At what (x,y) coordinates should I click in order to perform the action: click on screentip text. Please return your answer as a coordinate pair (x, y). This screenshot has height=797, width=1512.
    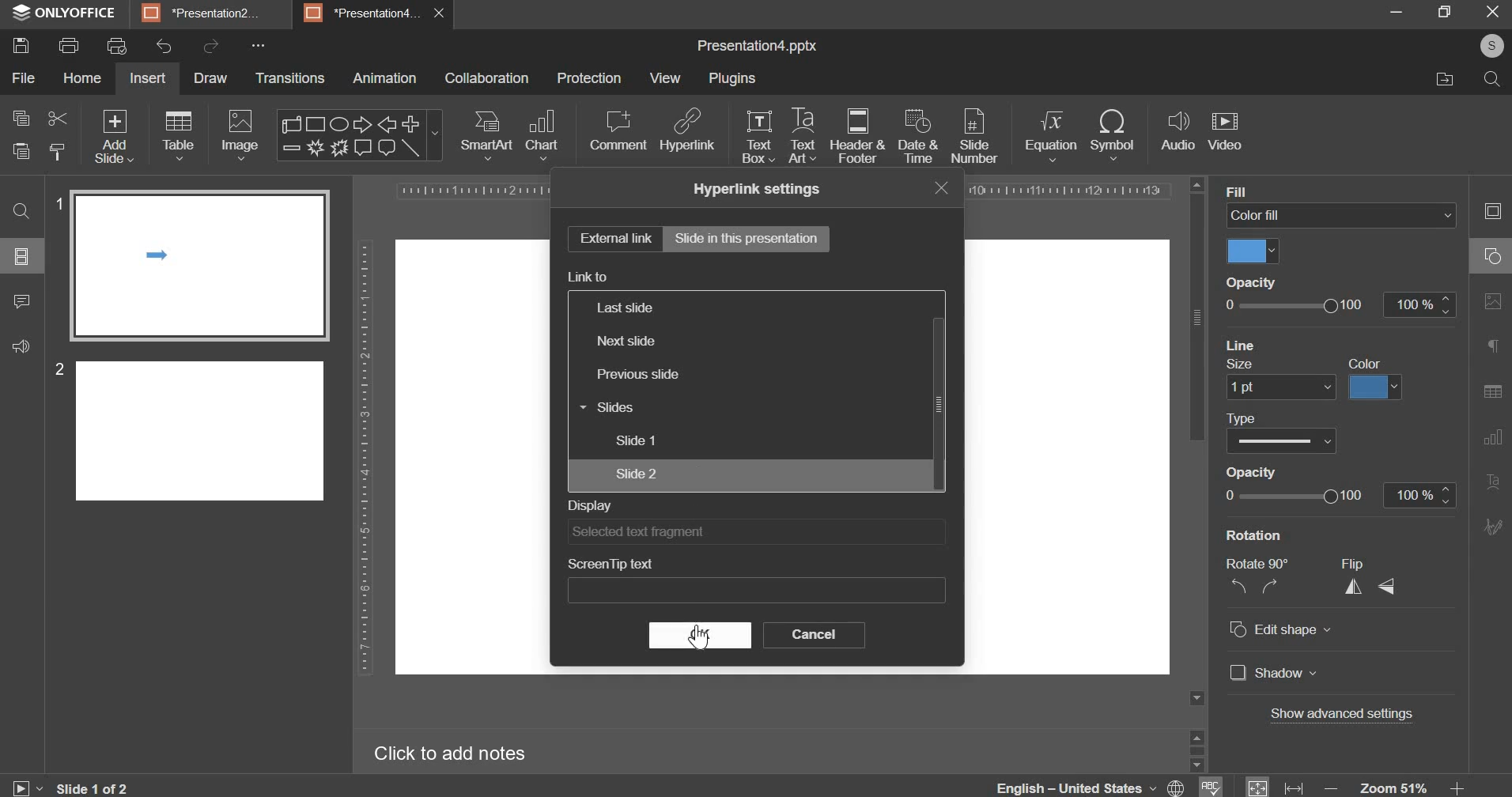
    Looking at the image, I should click on (749, 560).